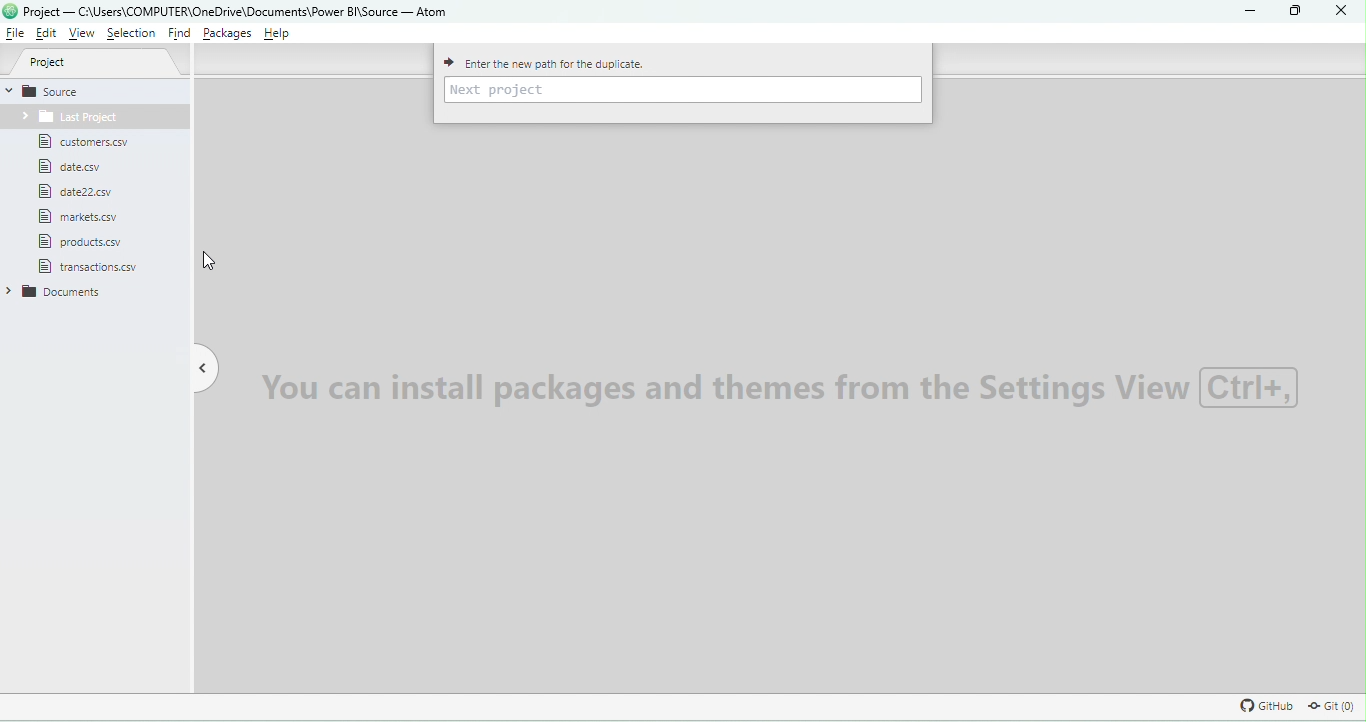  What do you see at coordinates (78, 217) in the screenshot?
I see `File` at bounding box center [78, 217].